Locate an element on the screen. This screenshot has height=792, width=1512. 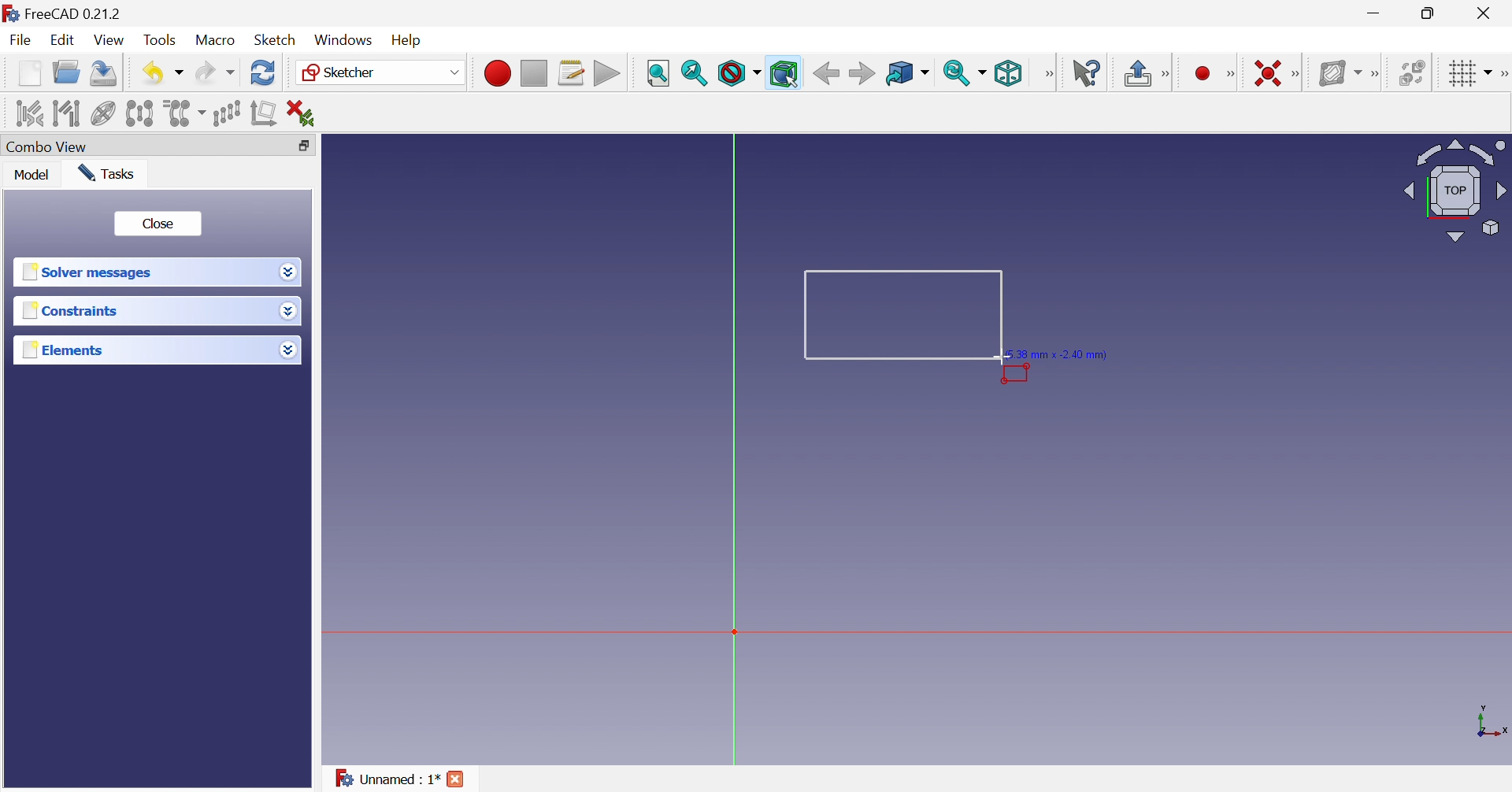
Leave sketch is located at coordinates (1138, 74).